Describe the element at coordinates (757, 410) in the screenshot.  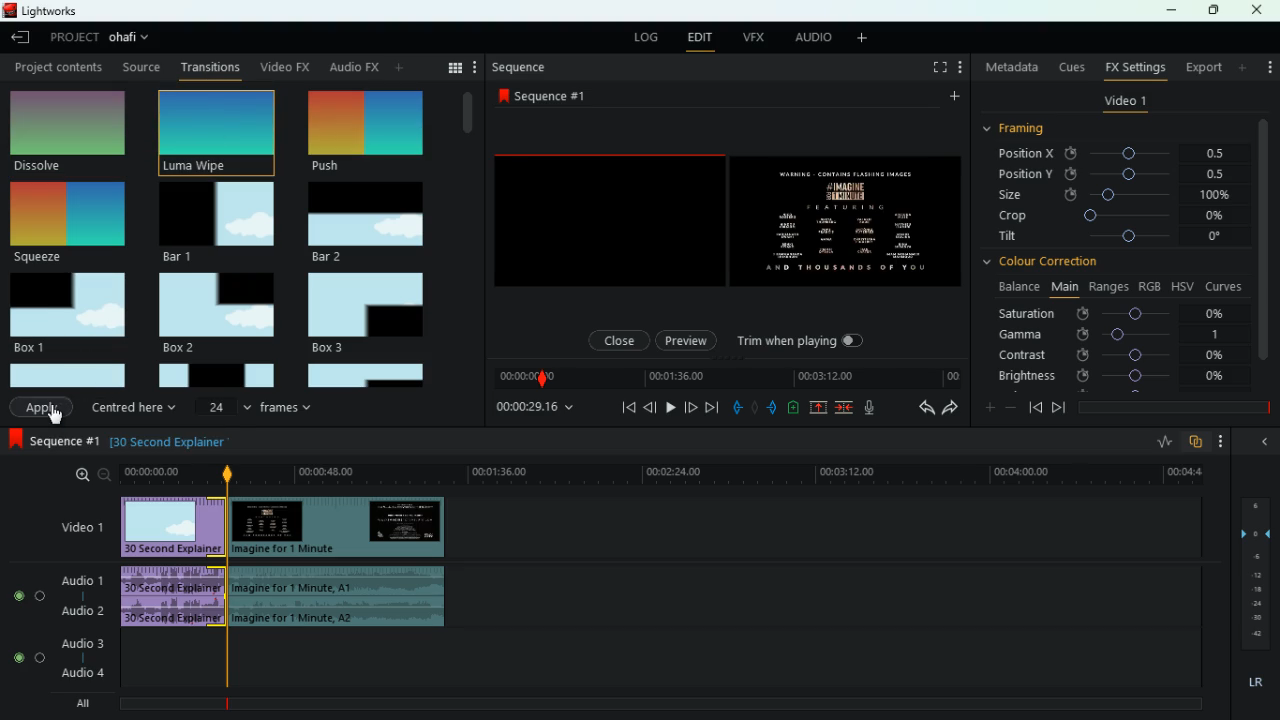
I see `hold` at that location.